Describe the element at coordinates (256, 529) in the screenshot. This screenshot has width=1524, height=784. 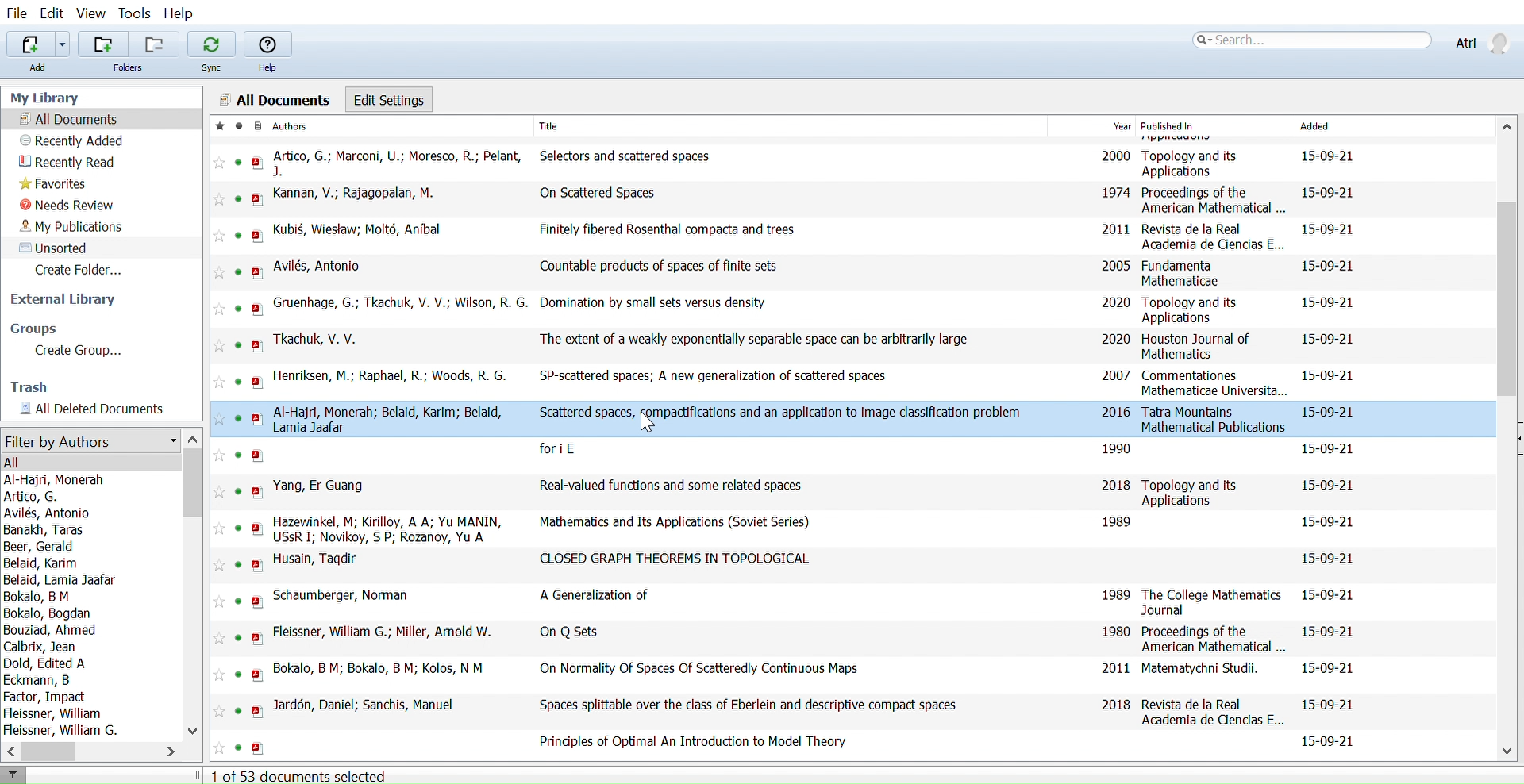
I see `PDf Document` at that location.